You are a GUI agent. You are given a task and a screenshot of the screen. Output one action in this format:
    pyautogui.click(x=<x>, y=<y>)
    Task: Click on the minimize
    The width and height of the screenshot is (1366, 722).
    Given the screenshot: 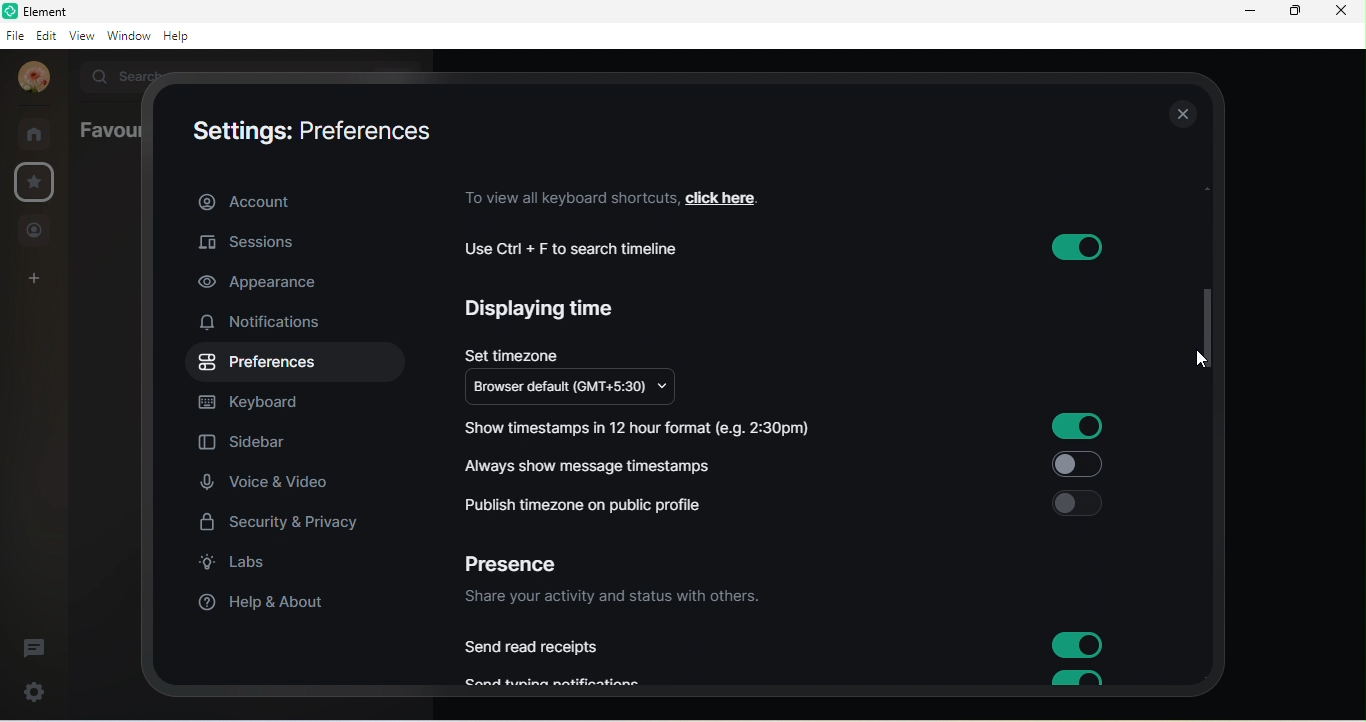 What is the action you would take?
    pyautogui.click(x=1245, y=14)
    